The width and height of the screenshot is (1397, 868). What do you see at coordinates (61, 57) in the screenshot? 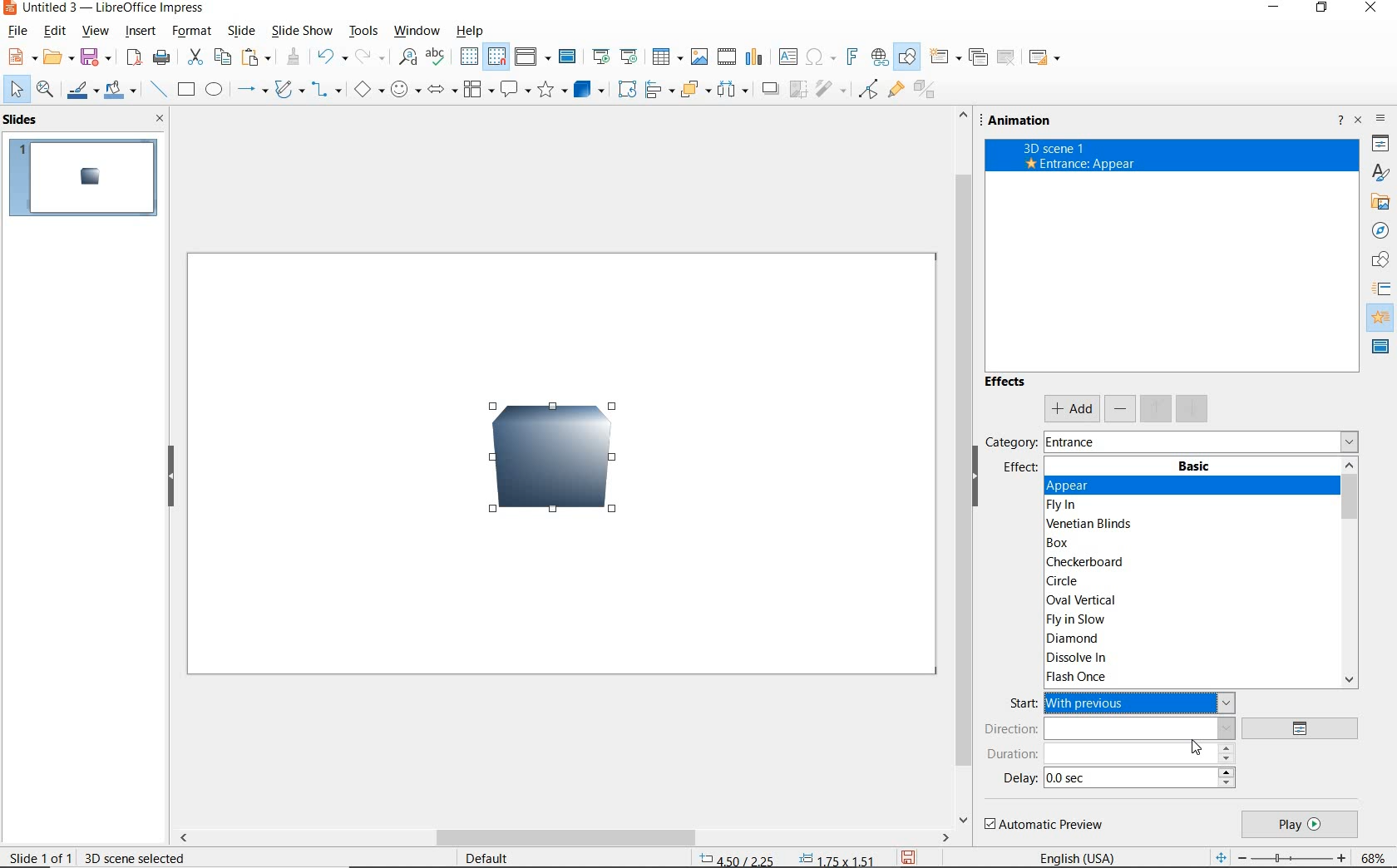
I see `open` at bounding box center [61, 57].